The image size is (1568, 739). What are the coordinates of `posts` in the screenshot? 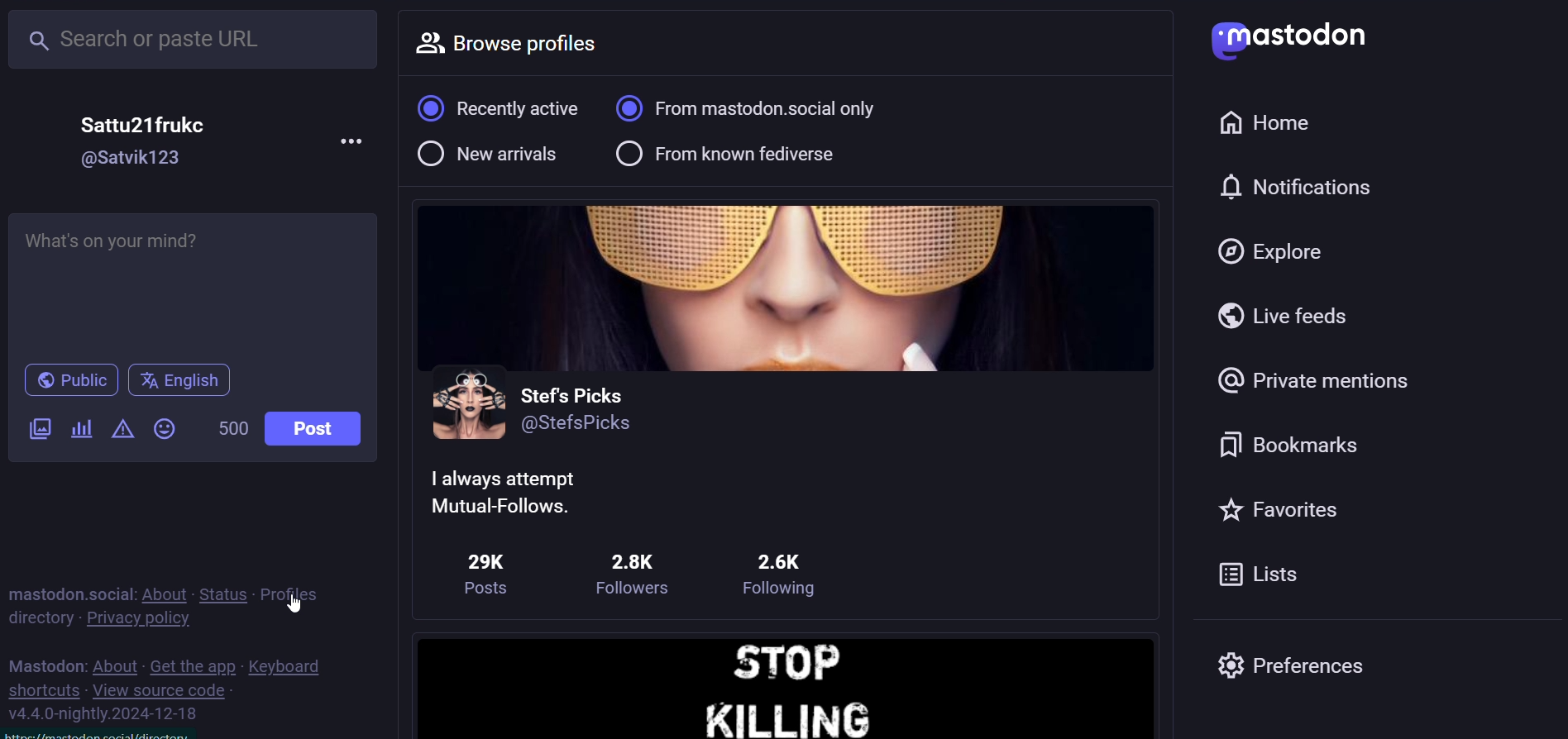 It's located at (484, 569).